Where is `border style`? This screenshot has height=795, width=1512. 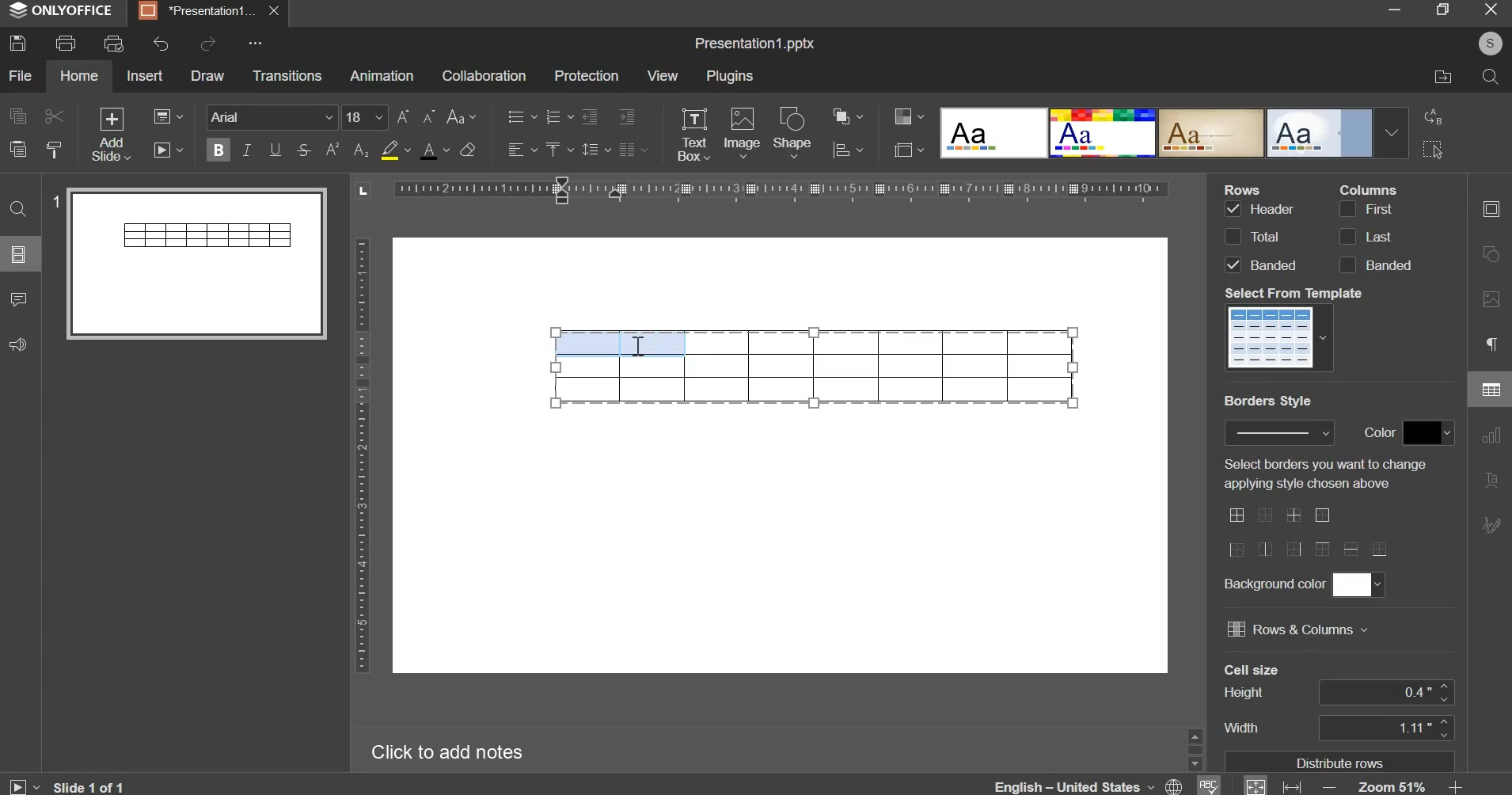
border style is located at coordinates (1390, 432).